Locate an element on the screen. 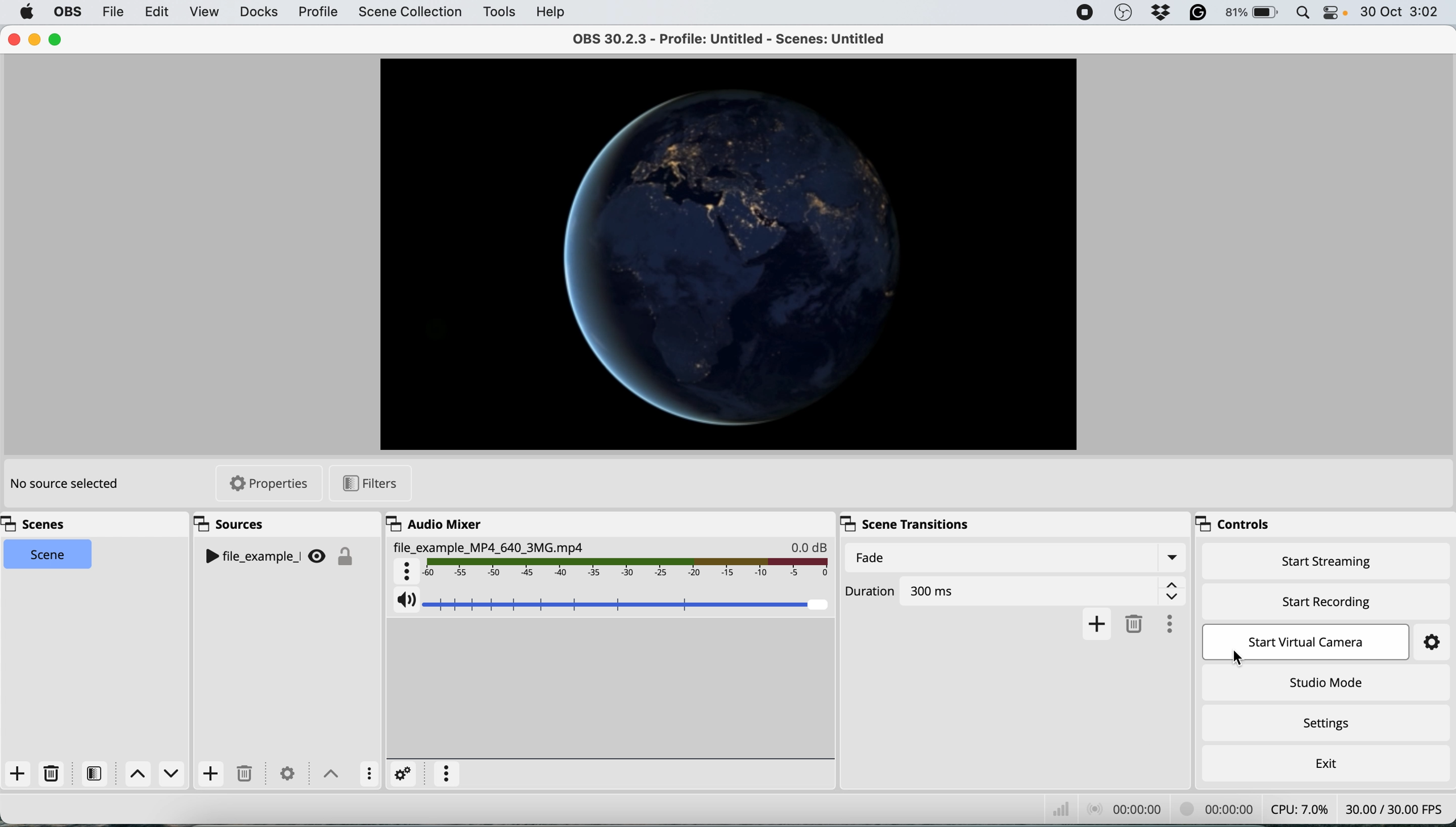 This screenshot has width=1456, height=827. scene collection is located at coordinates (410, 12).